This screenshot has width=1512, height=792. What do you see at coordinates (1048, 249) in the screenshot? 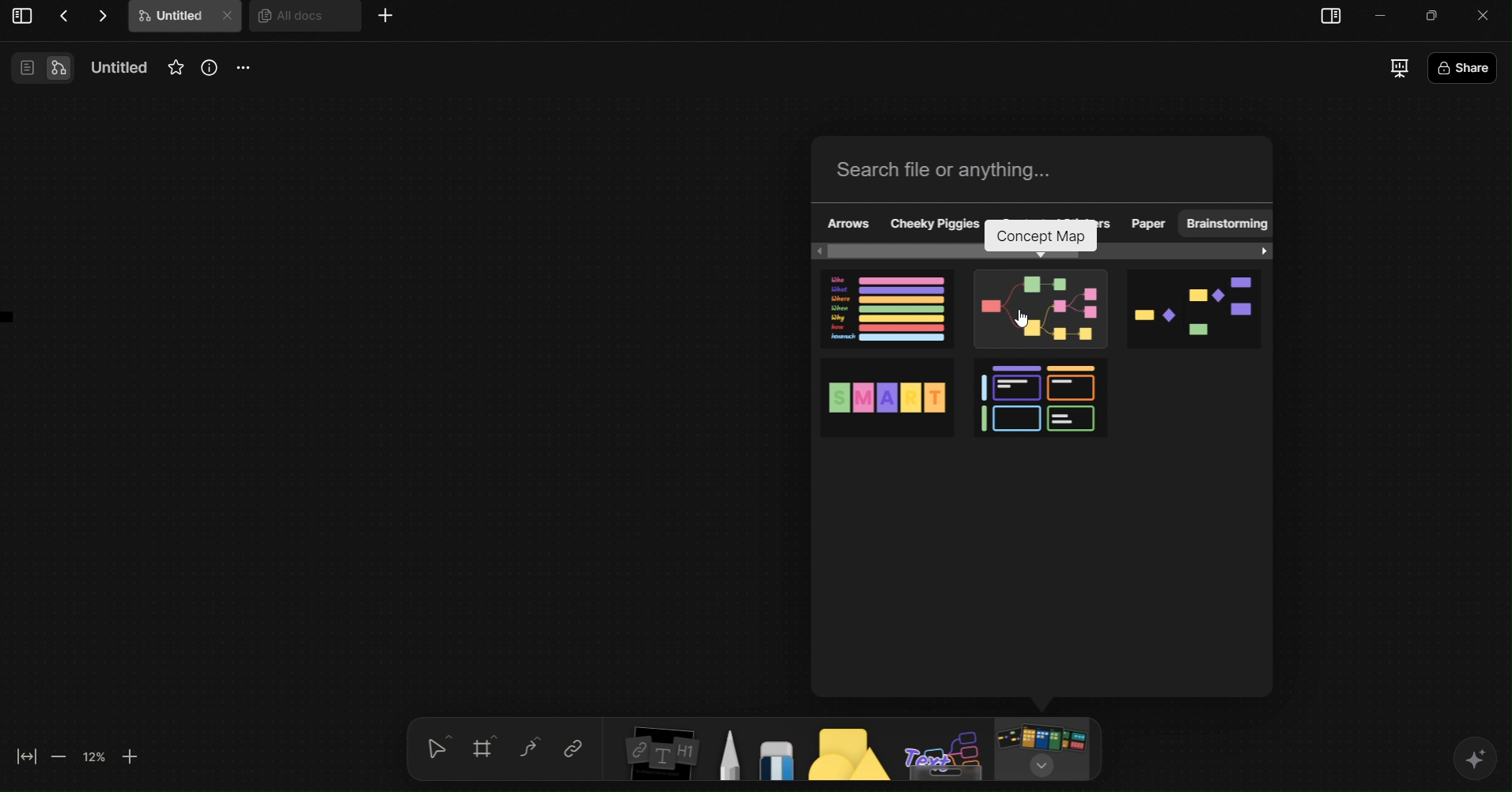
I see `horizontal scroll bar` at bounding box center [1048, 249].